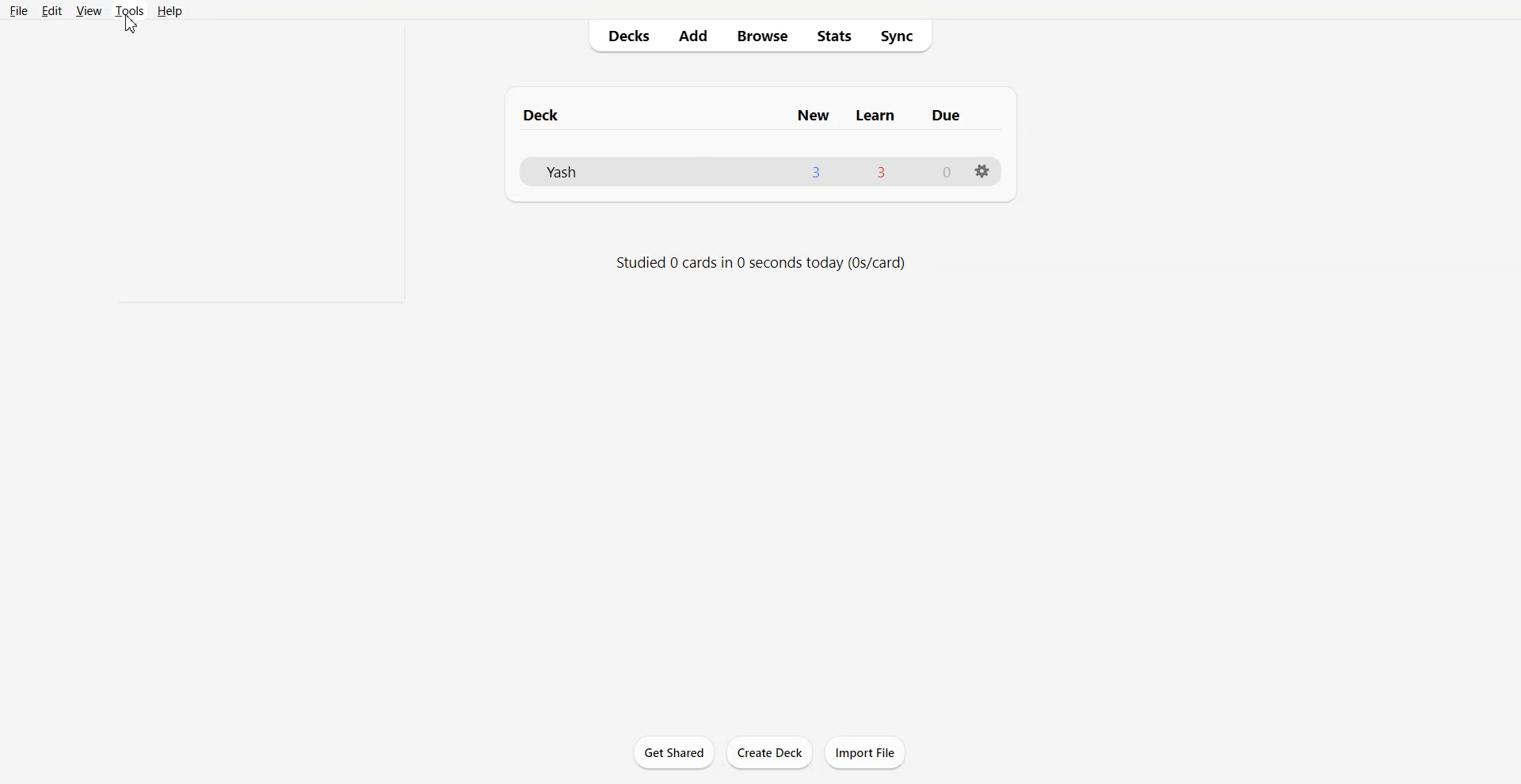  What do you see at coordinates (833, 36) in the screenshot?
I see `Stats` at bounding box center [833, 36].